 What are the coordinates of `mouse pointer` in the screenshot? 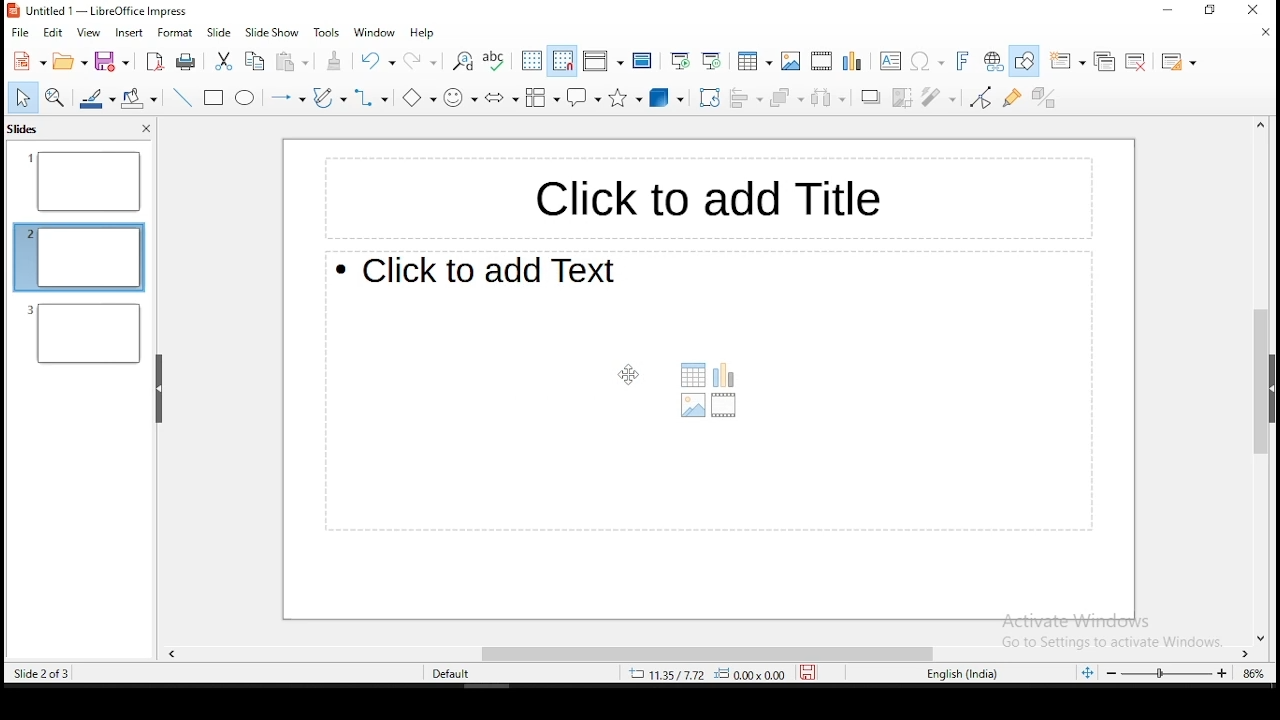 It's located at (624, 374).